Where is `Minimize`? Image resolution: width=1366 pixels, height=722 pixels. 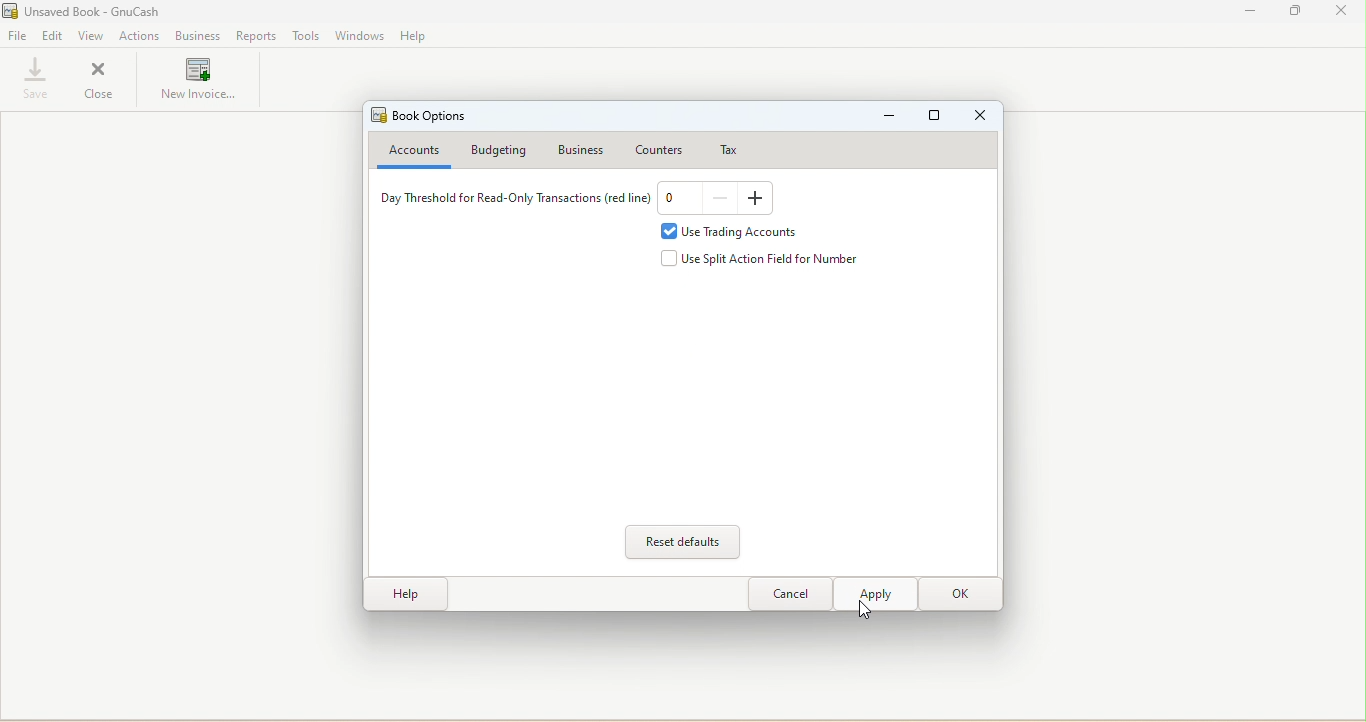
Minimize is located at coordinates (889, 118).